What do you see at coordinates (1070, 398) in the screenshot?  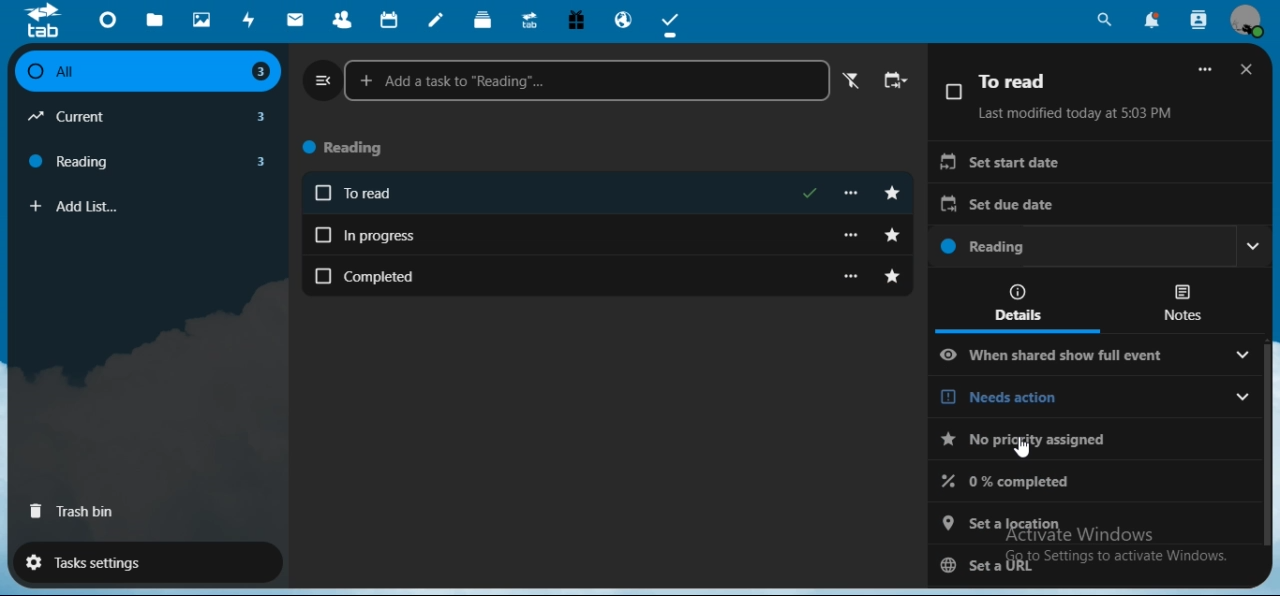 I see `needs action` at bounding box center [1070, 398].